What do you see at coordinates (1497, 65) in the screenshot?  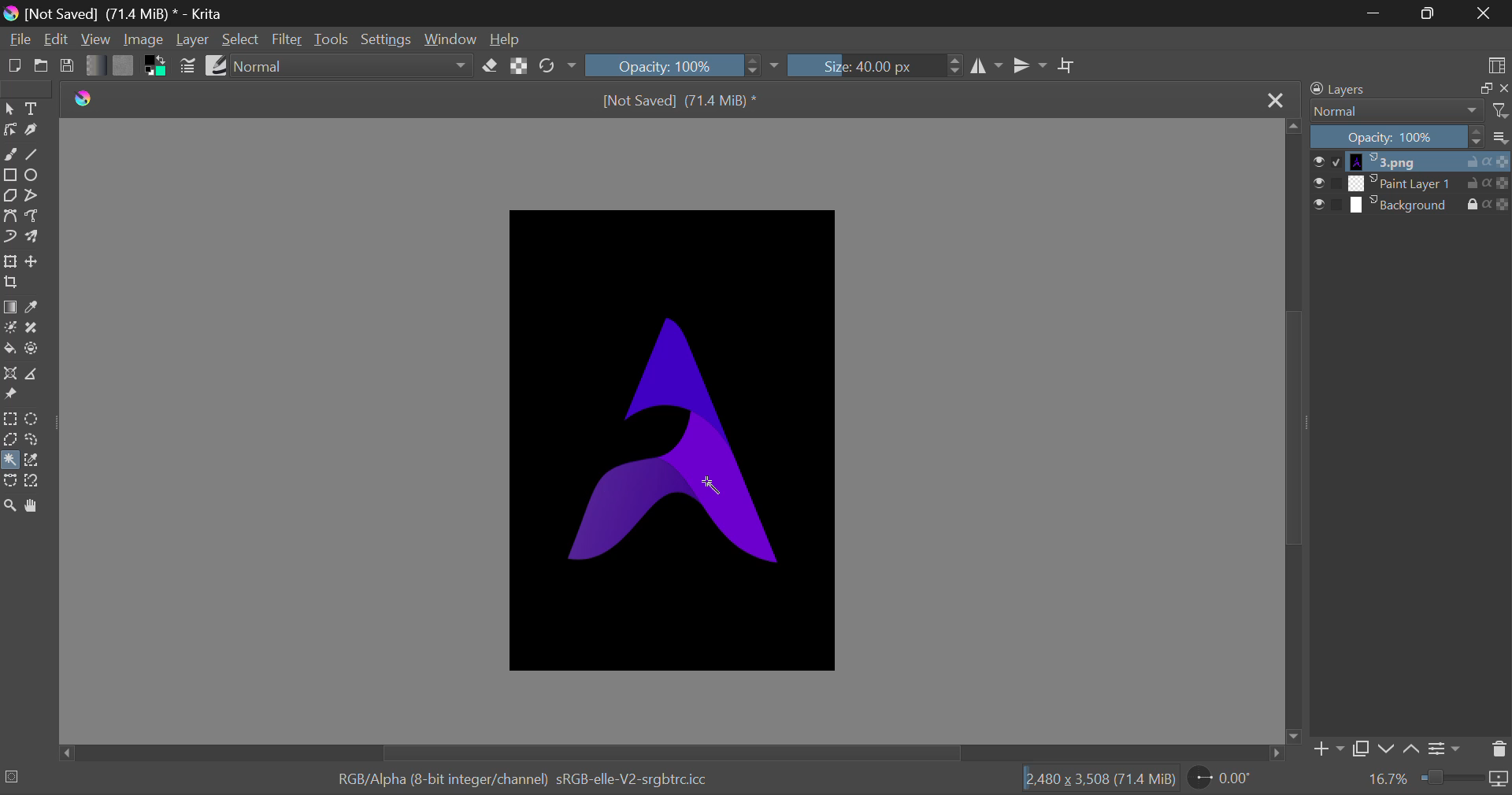 I see `Choose Workspace` at bounding box center [1497, 65].